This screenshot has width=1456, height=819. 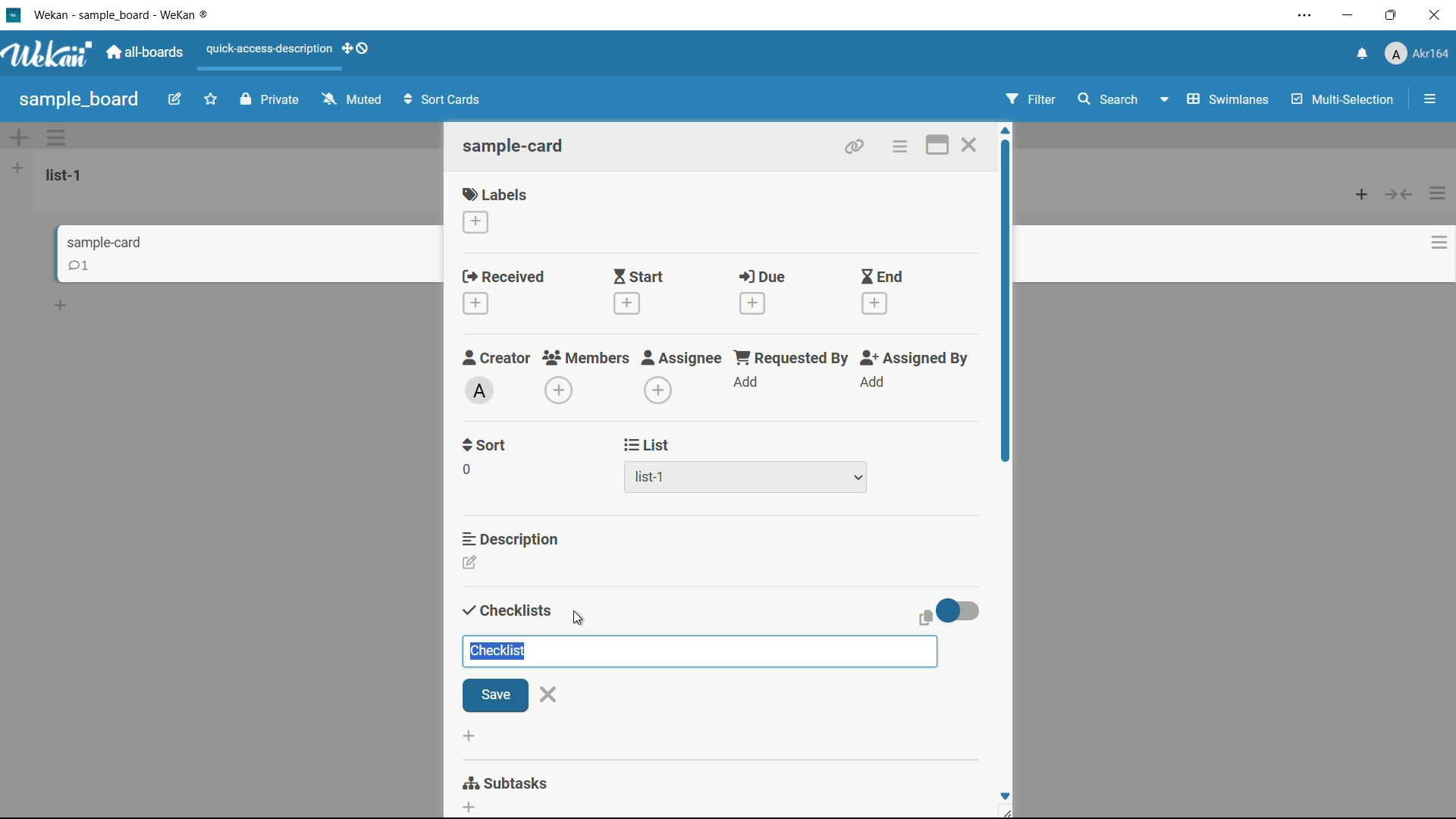 What do you see at coordinates (1305, 17) in the screenshot?
I see `settings and more` at bounding box center [1305, 17].